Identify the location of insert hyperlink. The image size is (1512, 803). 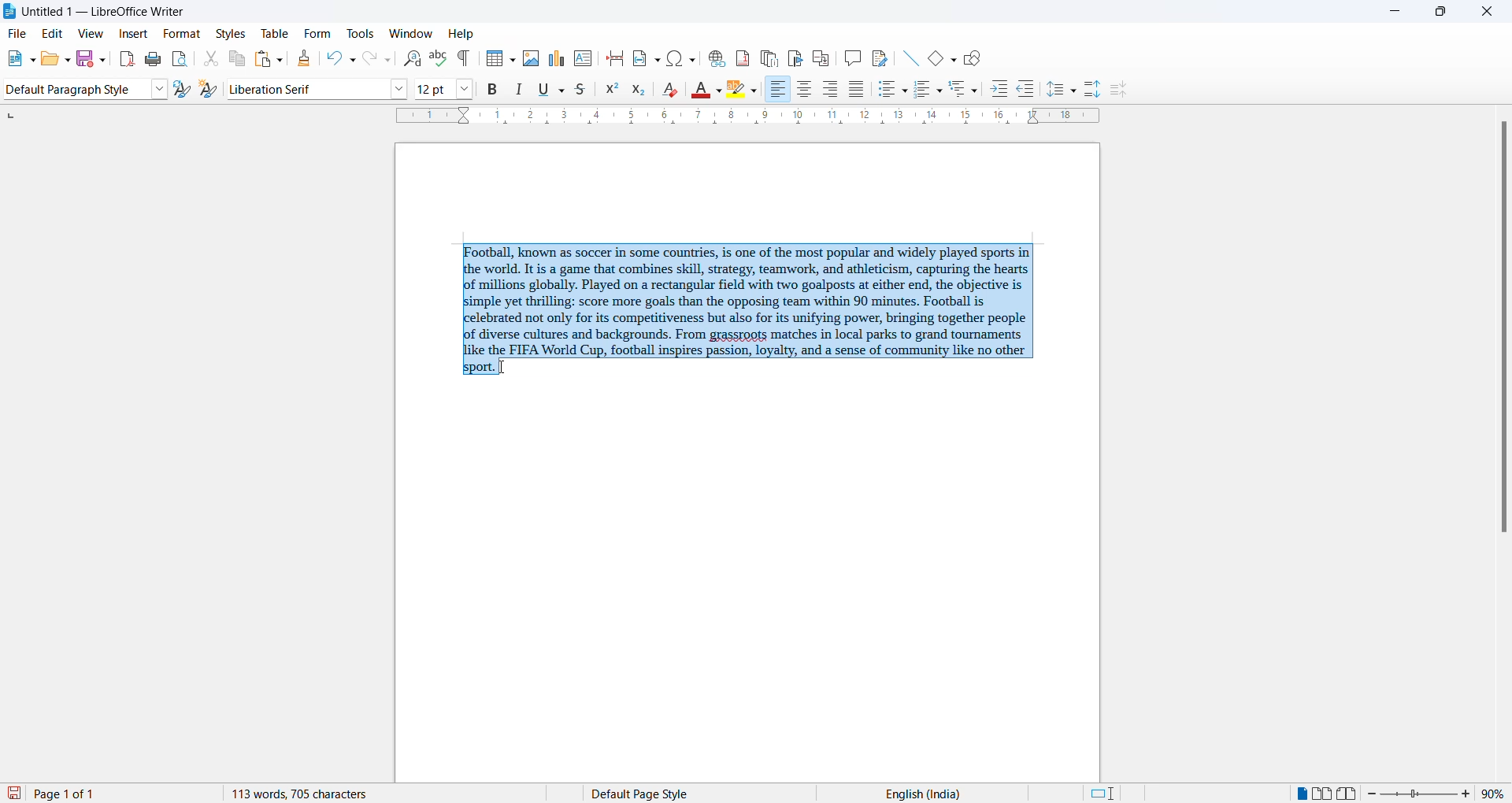
(717, 60).